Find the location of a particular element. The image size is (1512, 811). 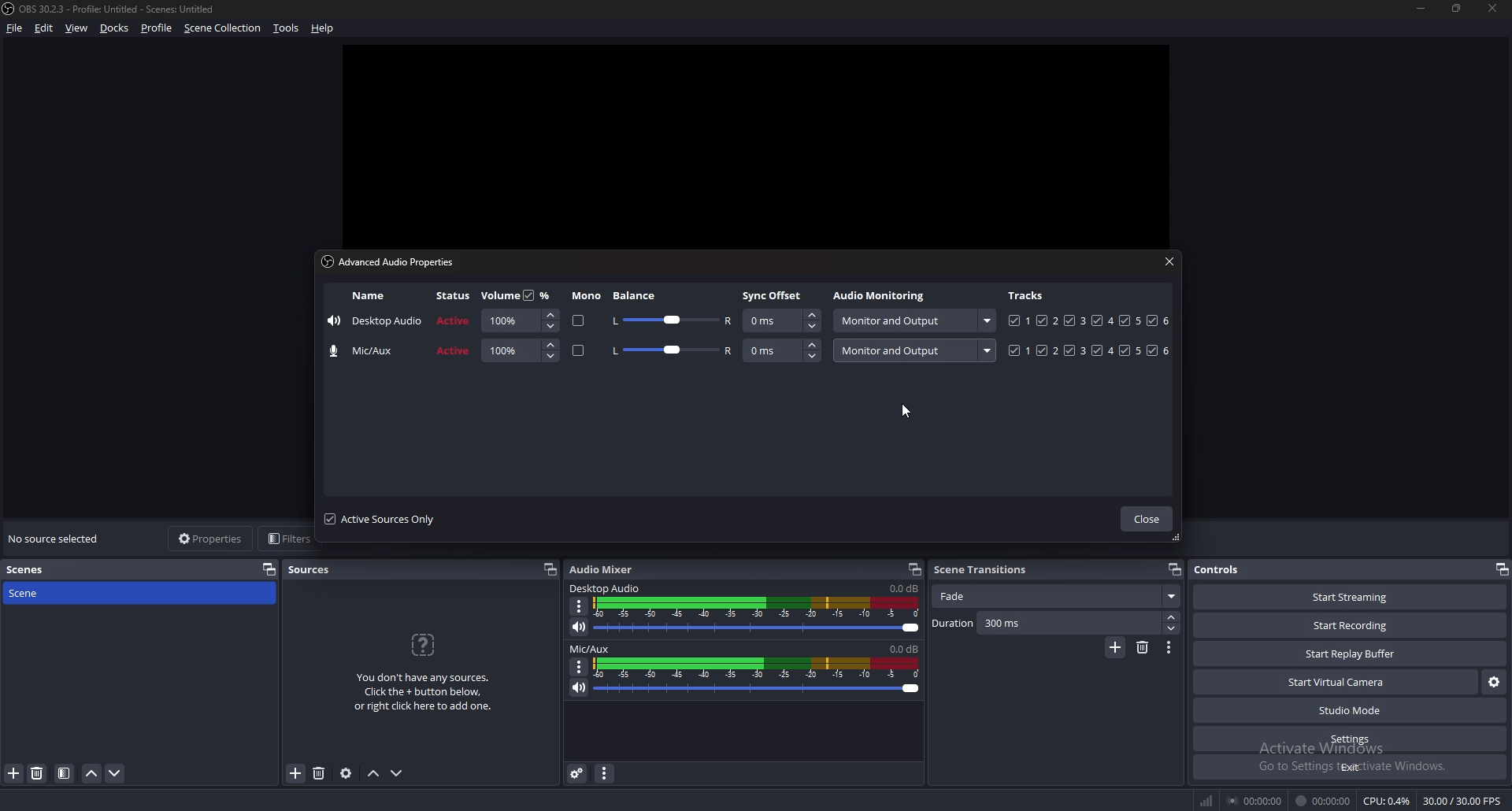

minimize is located at coordinates (1420, 9).